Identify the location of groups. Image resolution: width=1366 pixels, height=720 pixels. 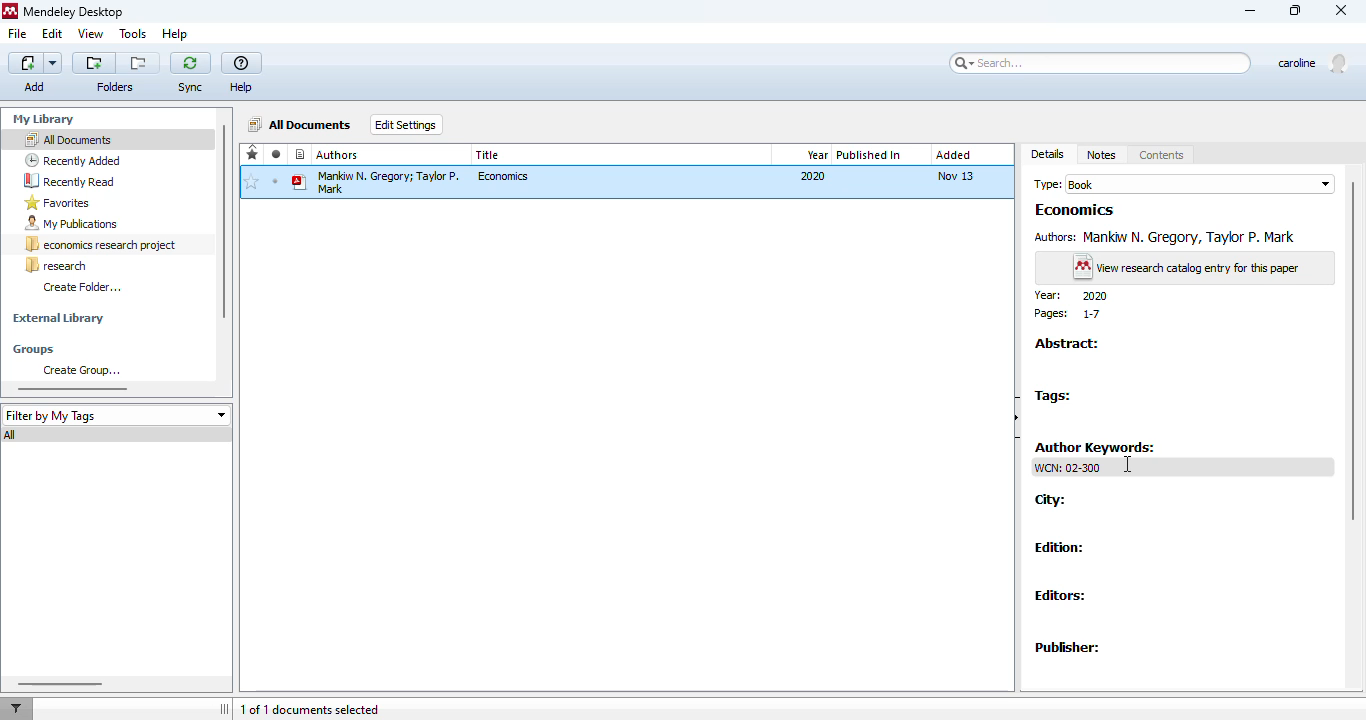
(35, 350).